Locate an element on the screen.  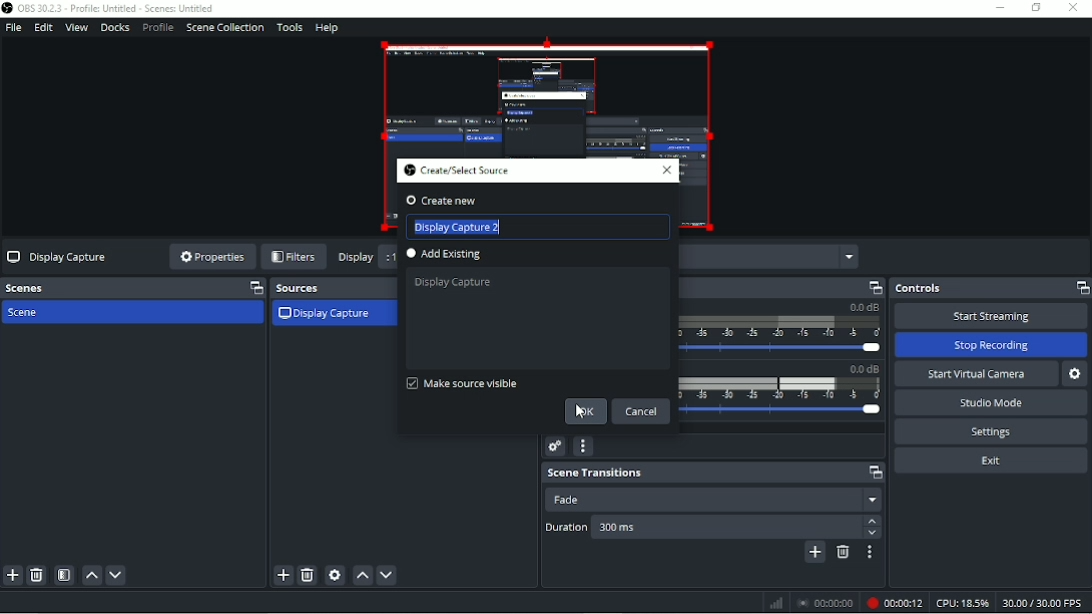
Help is located at coordinates (327, 28).